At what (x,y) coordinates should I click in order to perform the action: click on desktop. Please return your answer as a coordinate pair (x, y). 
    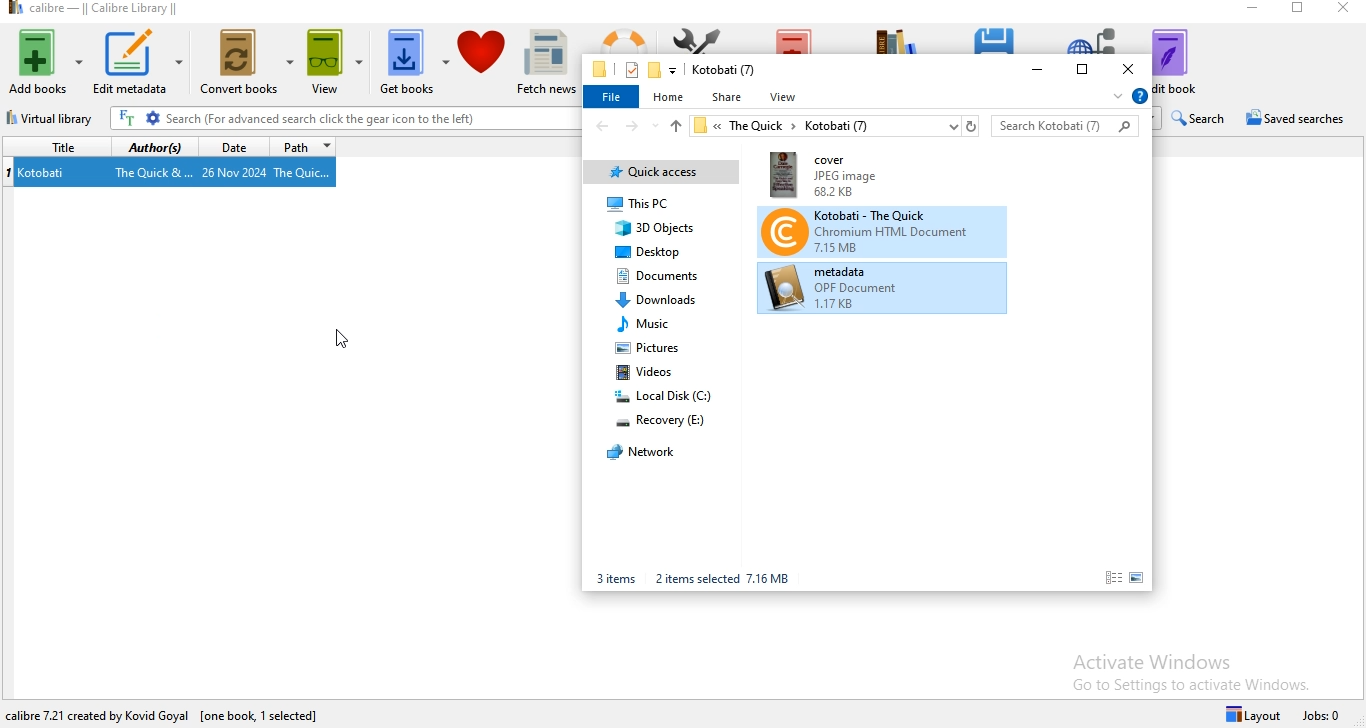
    Looking at the image, I should click on (652, 251).